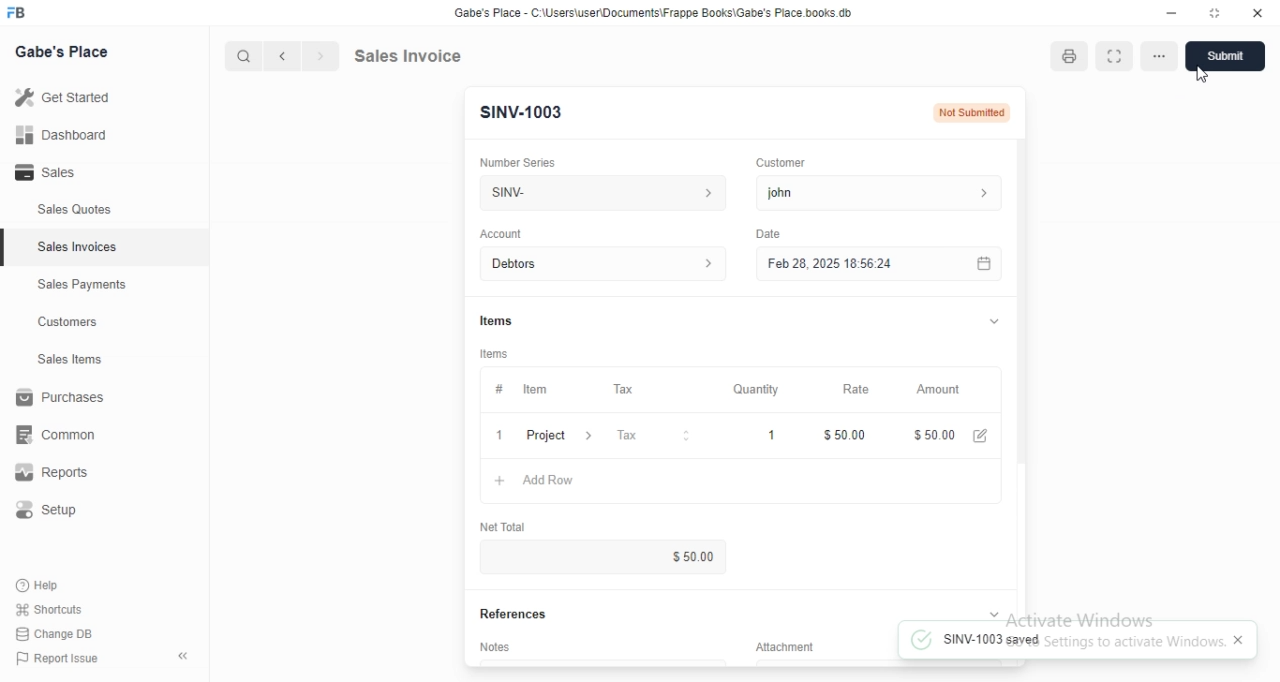 This screenshot has width=1280, height=682. Describe the element at coordinates (79, 247) in the screenshot. I see `Sales Invoices` at that location.